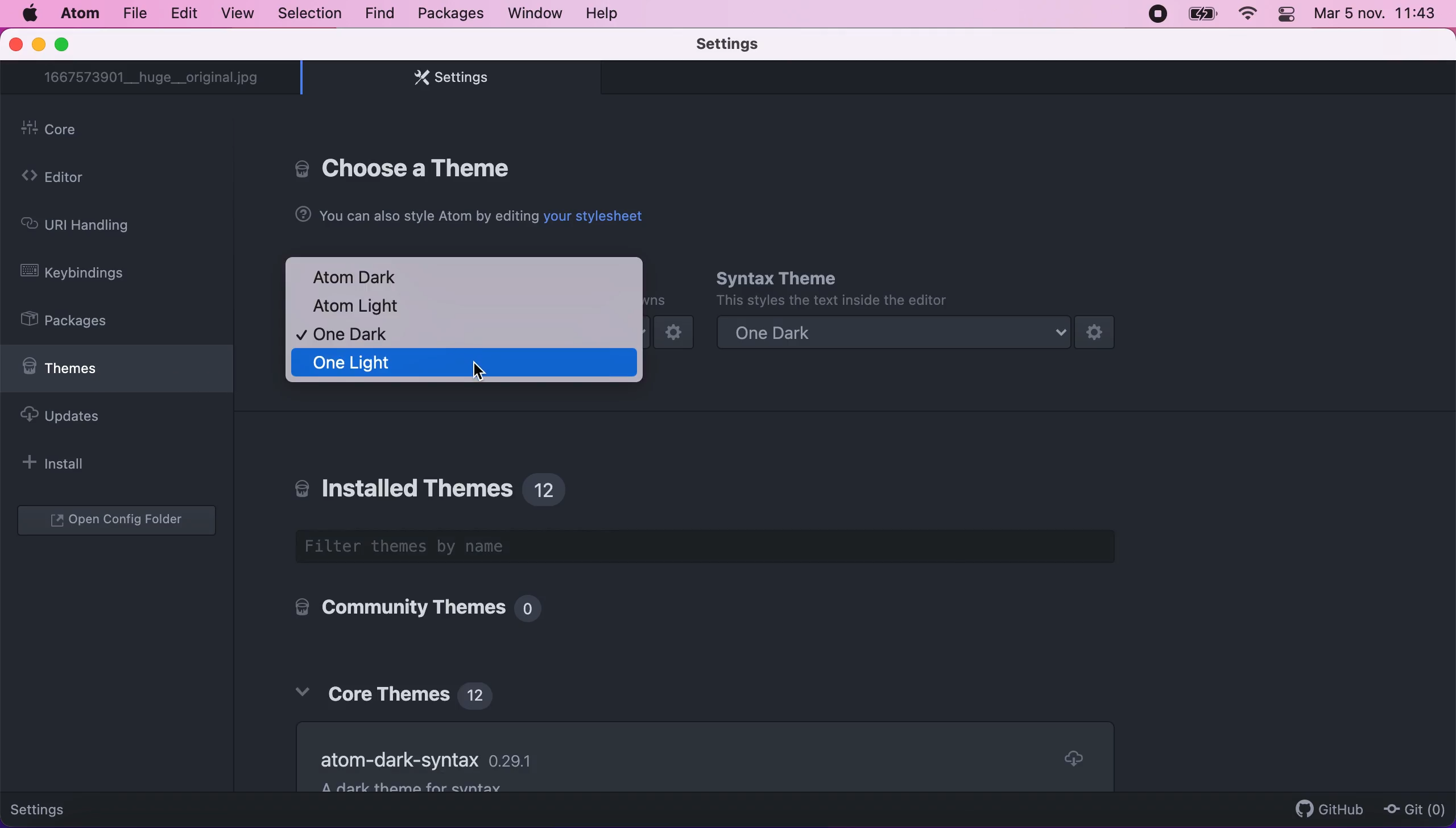 Image resolution: width=1456 pixels, height=828 pixels. What do you see at coordinates (1324, 804) in the screenshot?
I see `github` at bounding box center [1324, 804].